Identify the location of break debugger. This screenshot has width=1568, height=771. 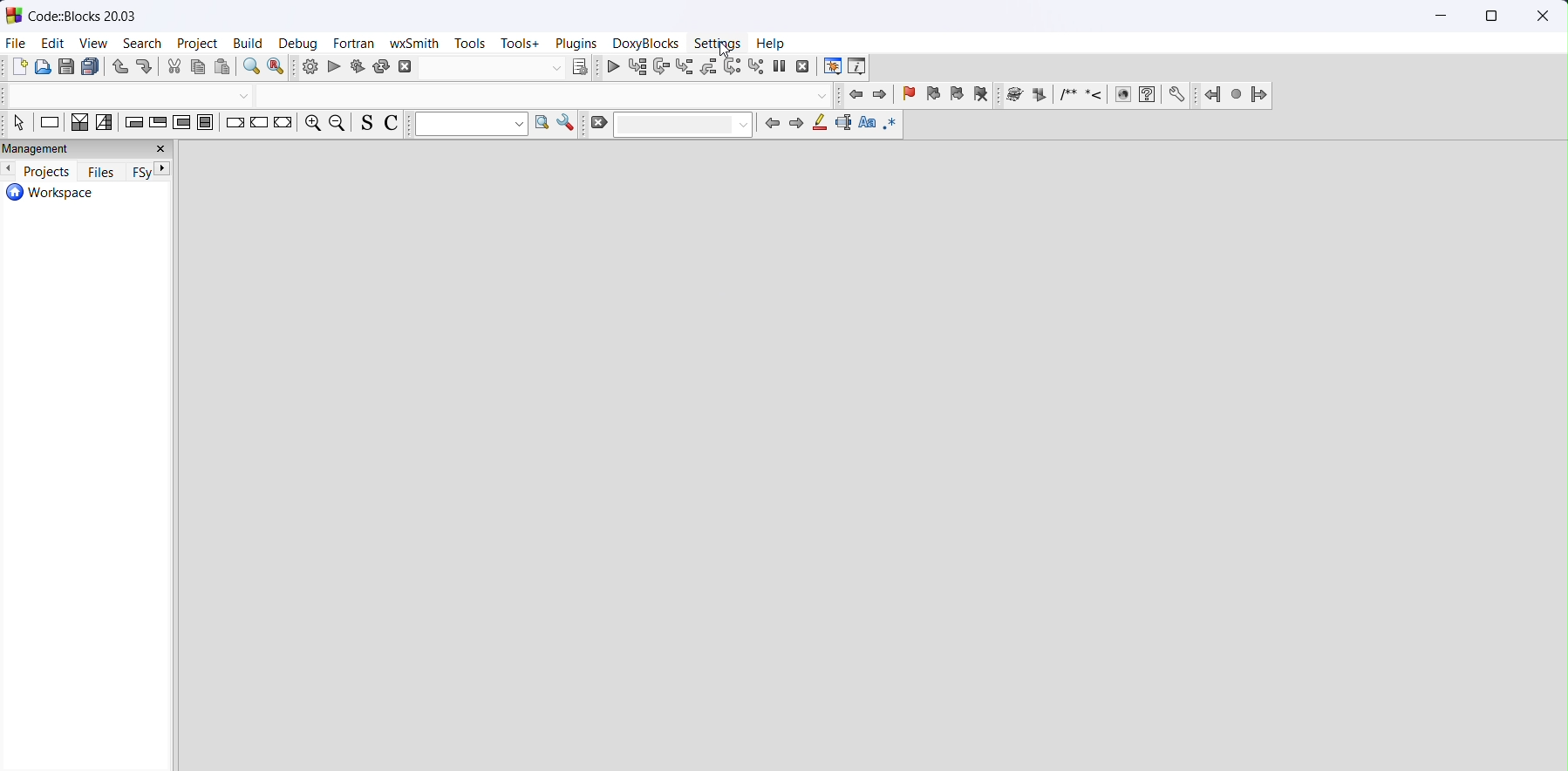
(780, 68).